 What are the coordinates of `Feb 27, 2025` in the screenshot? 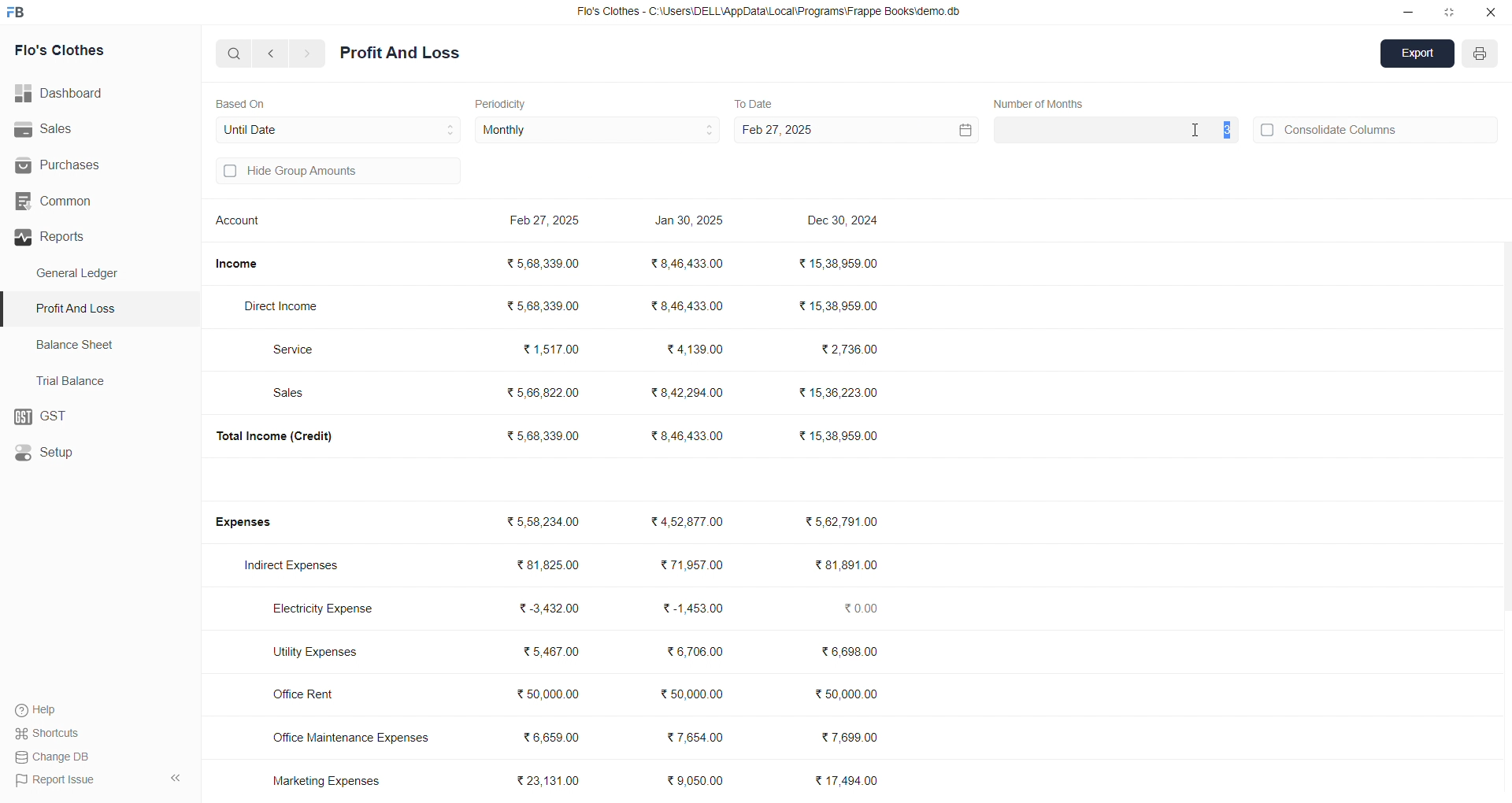 It's located at (547, 222).